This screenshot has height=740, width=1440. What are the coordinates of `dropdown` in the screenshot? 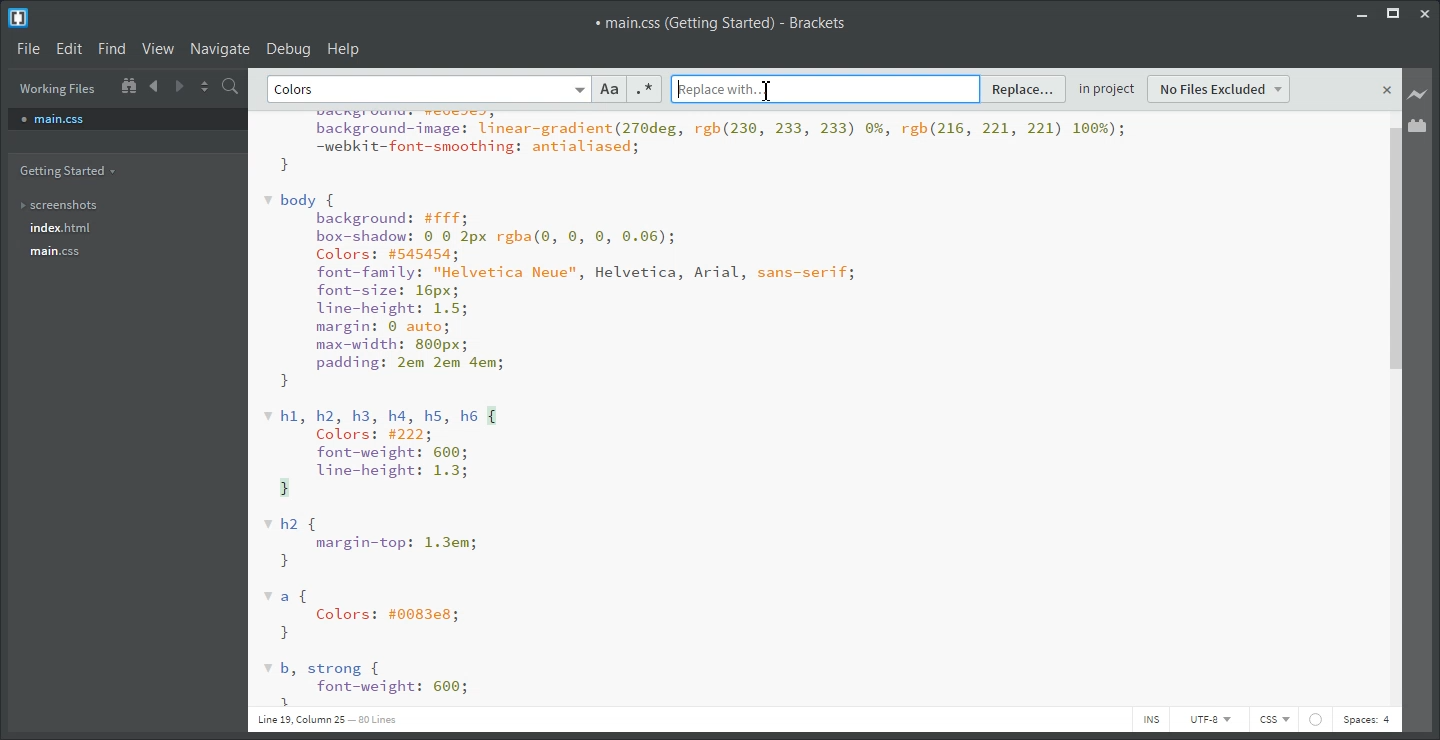 It's located at (580, 89).